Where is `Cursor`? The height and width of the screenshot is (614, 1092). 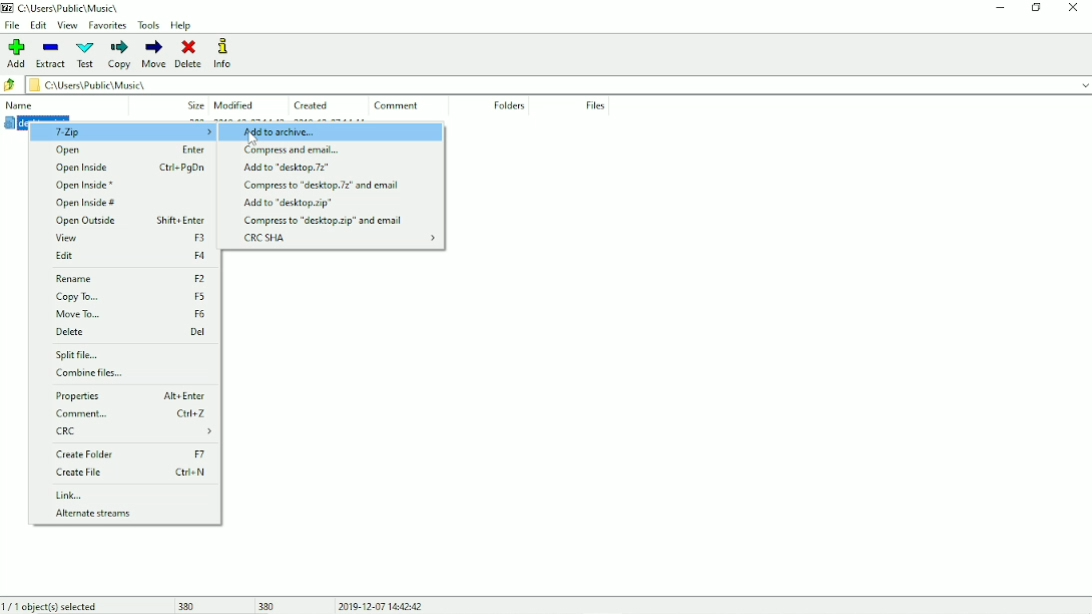 Cursor is located at coordinates (254, 138).